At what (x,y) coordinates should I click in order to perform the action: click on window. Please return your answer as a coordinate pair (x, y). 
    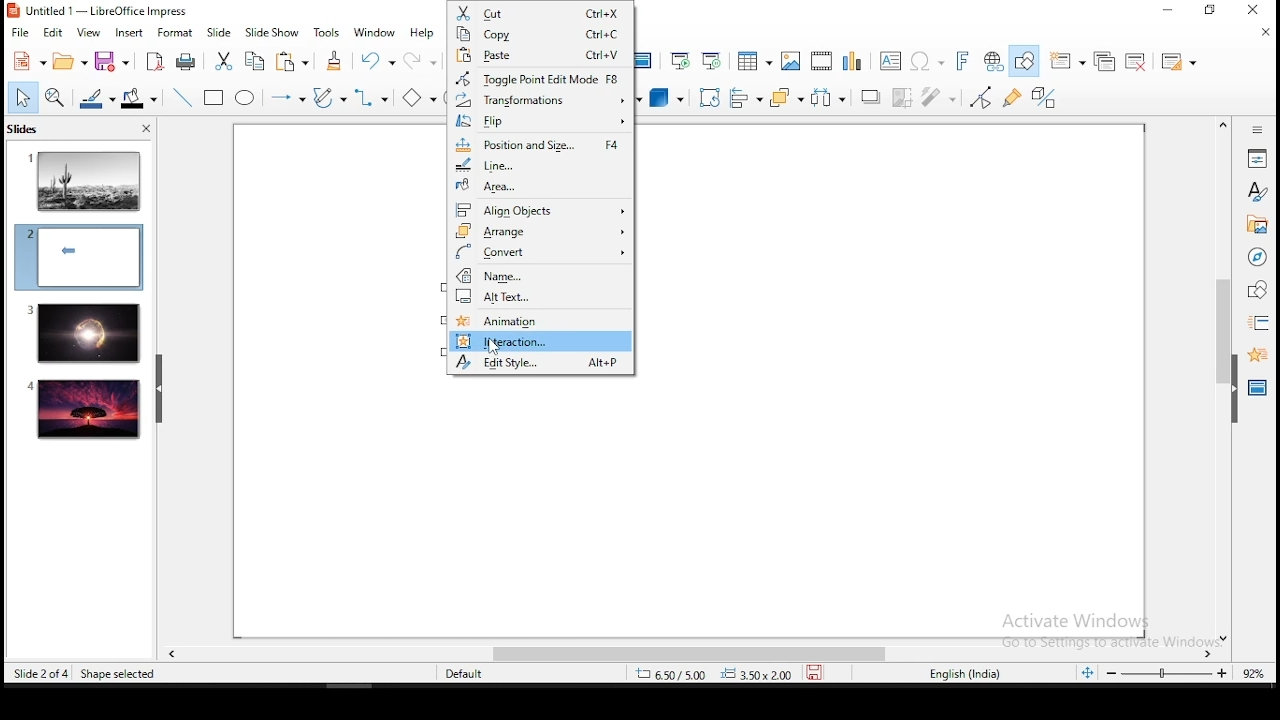
    Looking at the image, I should click on (375, 31).